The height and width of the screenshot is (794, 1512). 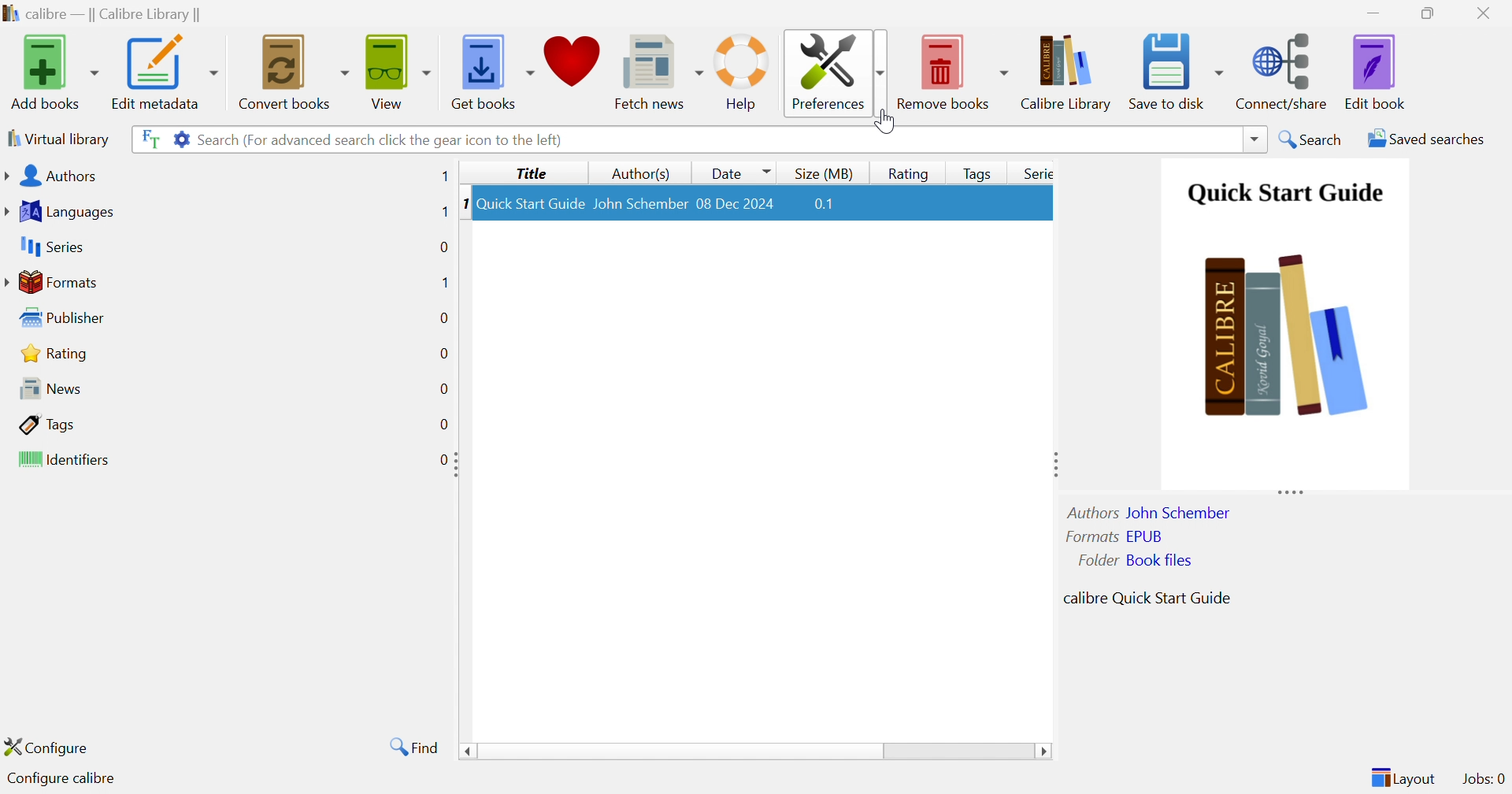 What do you see at coordinates (640, 202) in the screenshot?
I see `John Schember` at bounding box center [640, 202].